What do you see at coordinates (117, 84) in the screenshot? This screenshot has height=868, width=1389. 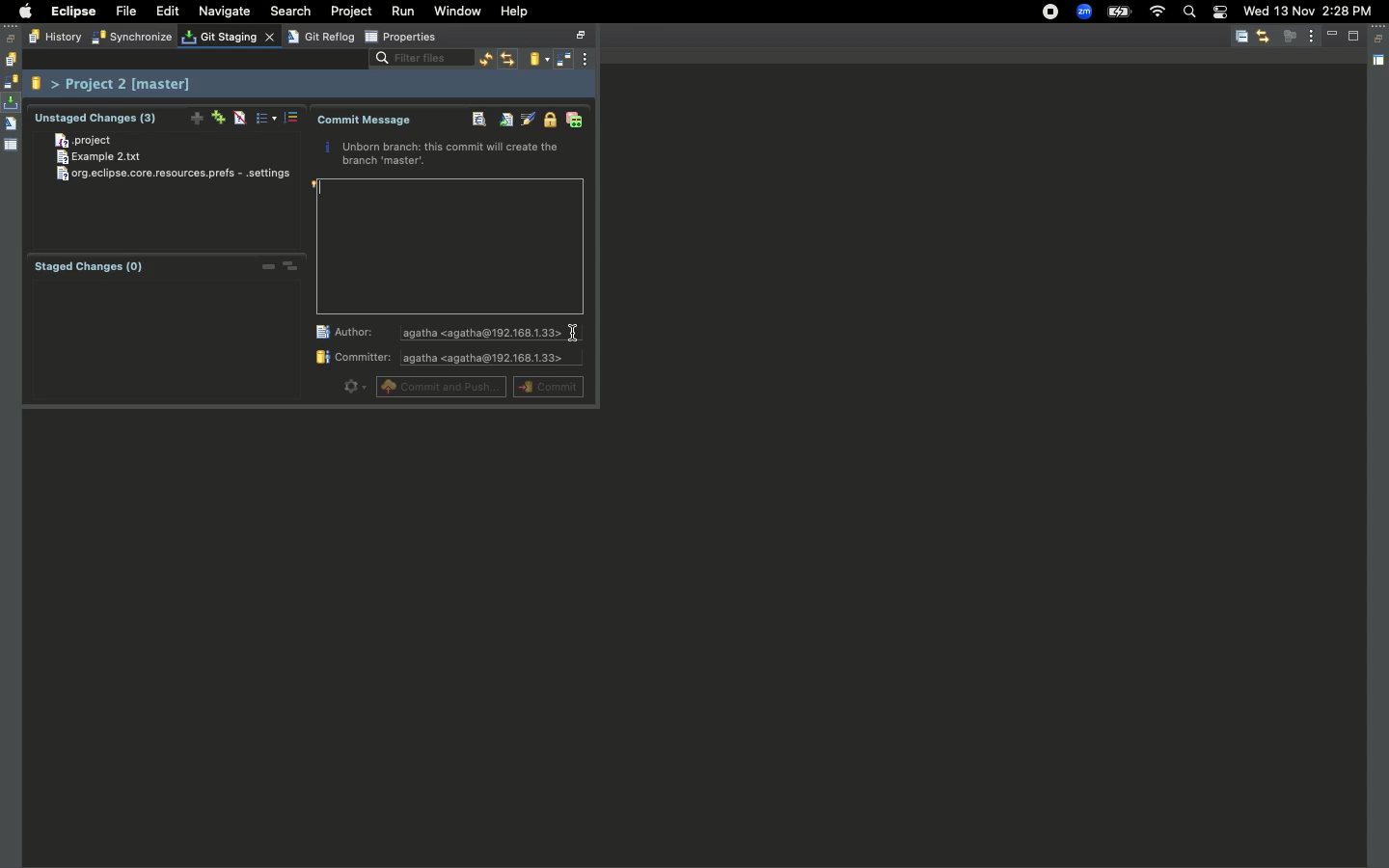 I see `Project 2 (master)` at bounding box center [117, 84].